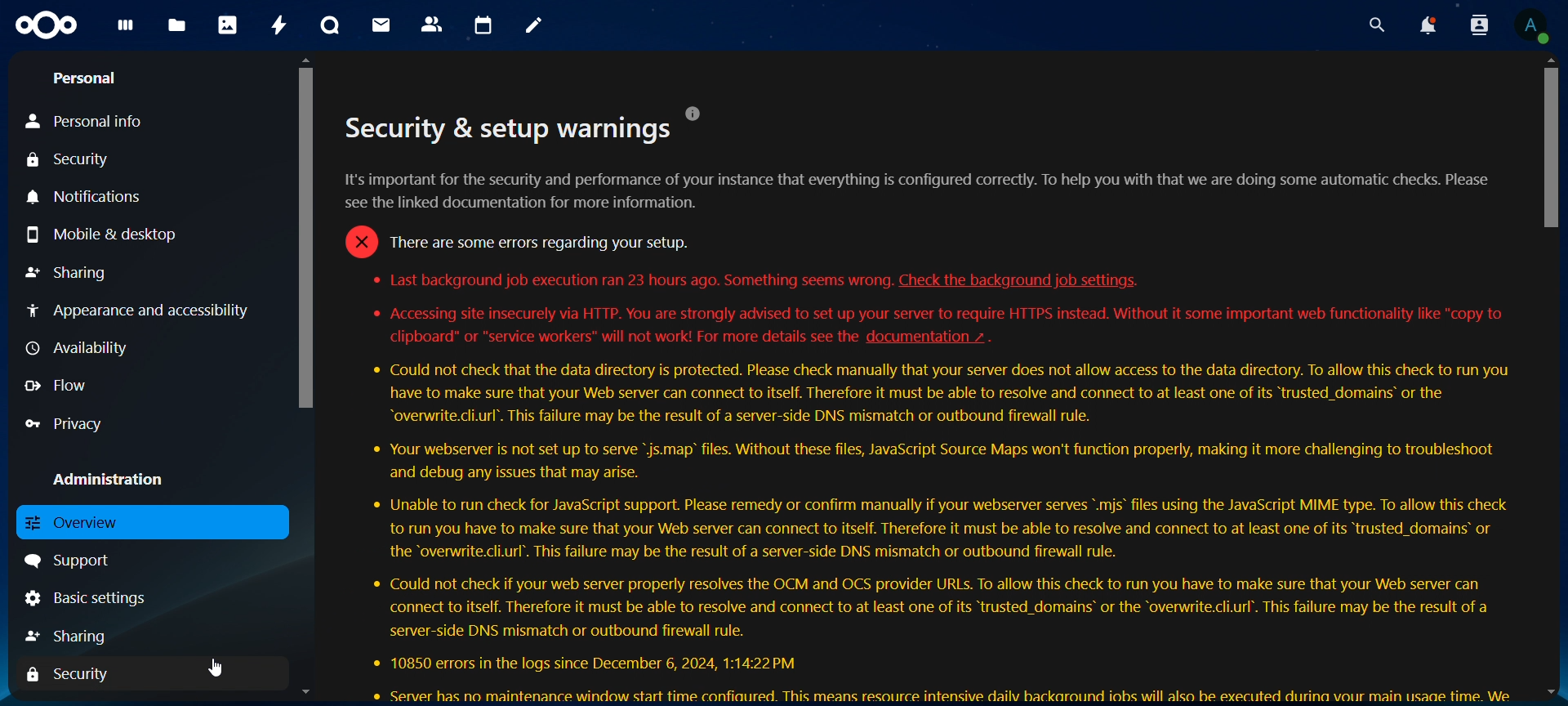 The width and height of the screenshot is (1568, 706). I want to click on administration, so click(108, 479).